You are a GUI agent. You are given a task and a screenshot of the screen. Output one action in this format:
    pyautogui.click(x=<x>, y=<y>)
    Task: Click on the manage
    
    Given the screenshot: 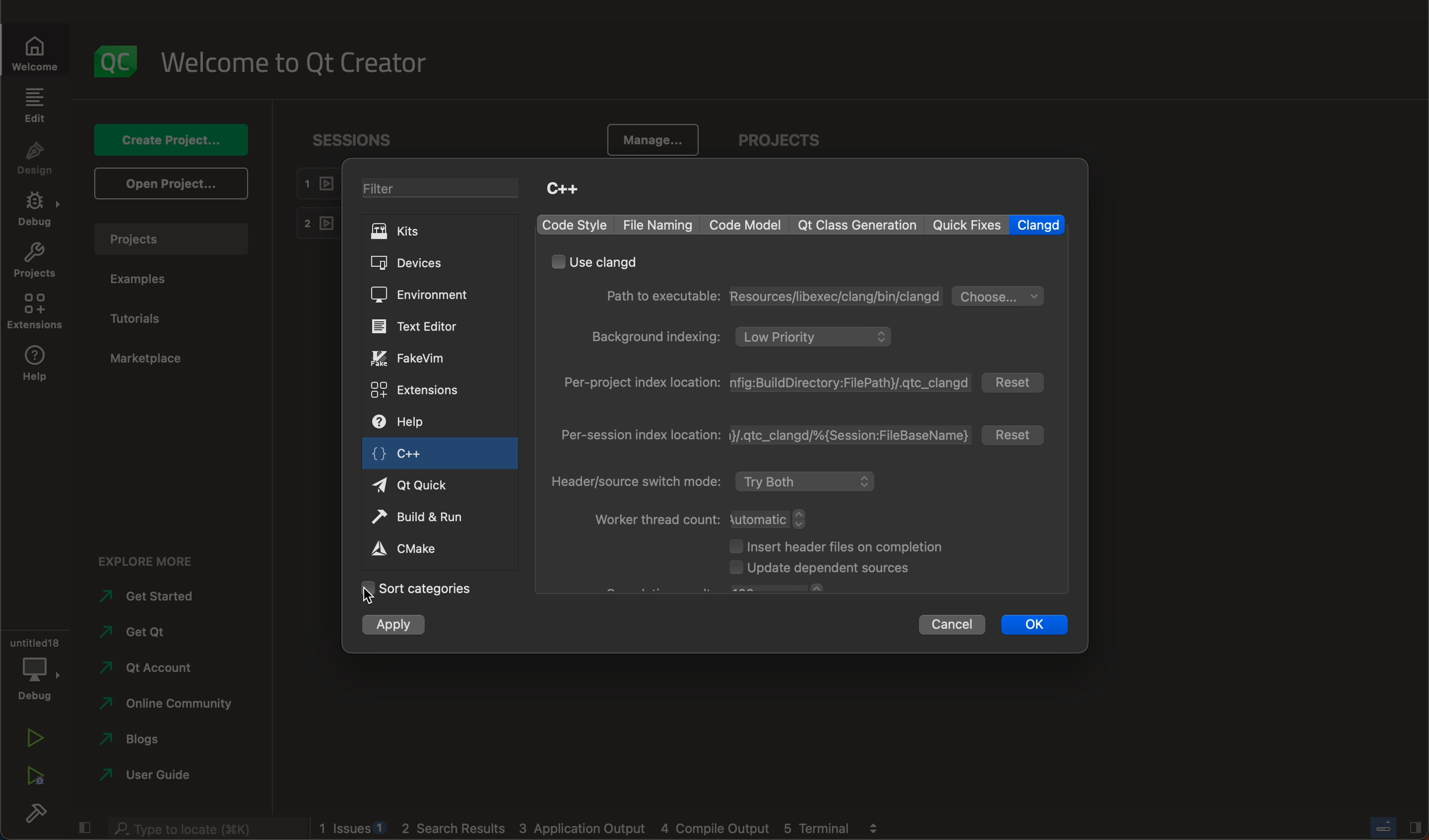 What is the action you would take?
    pyautogui.click(x=649, y=140)
    